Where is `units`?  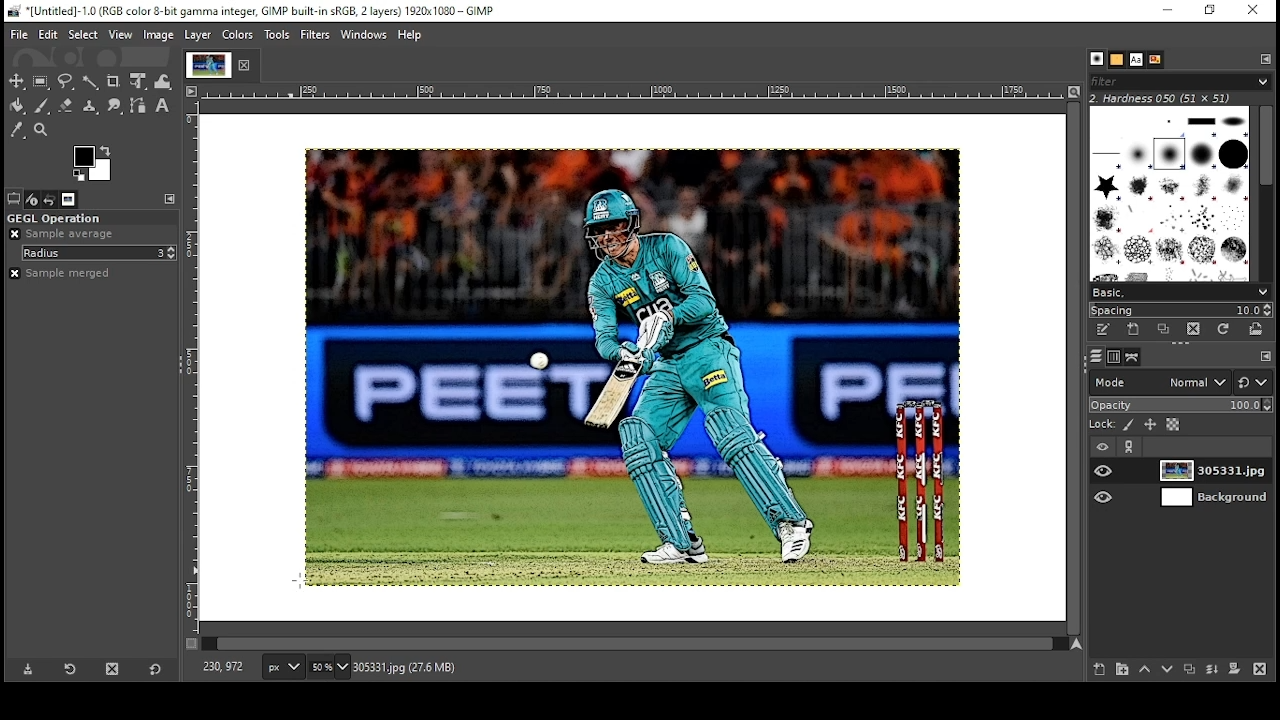
units is located at coordinates (283, 666).